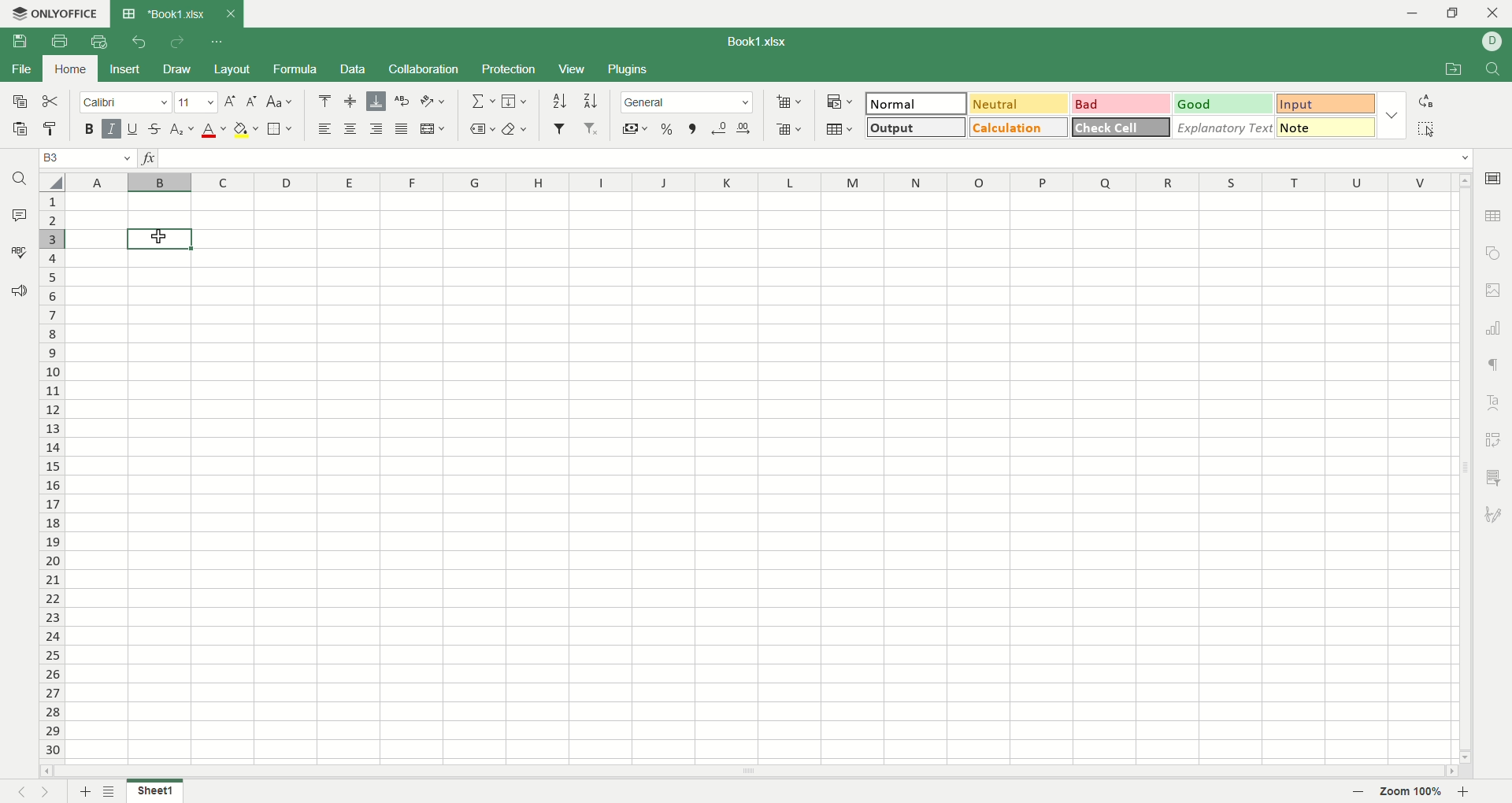 The height and width of the screenshot is (803, 1512). What do you see at coordinates (720, 129) in the screenshot?
I see `increase decimal` at bounding box center [720, 129].